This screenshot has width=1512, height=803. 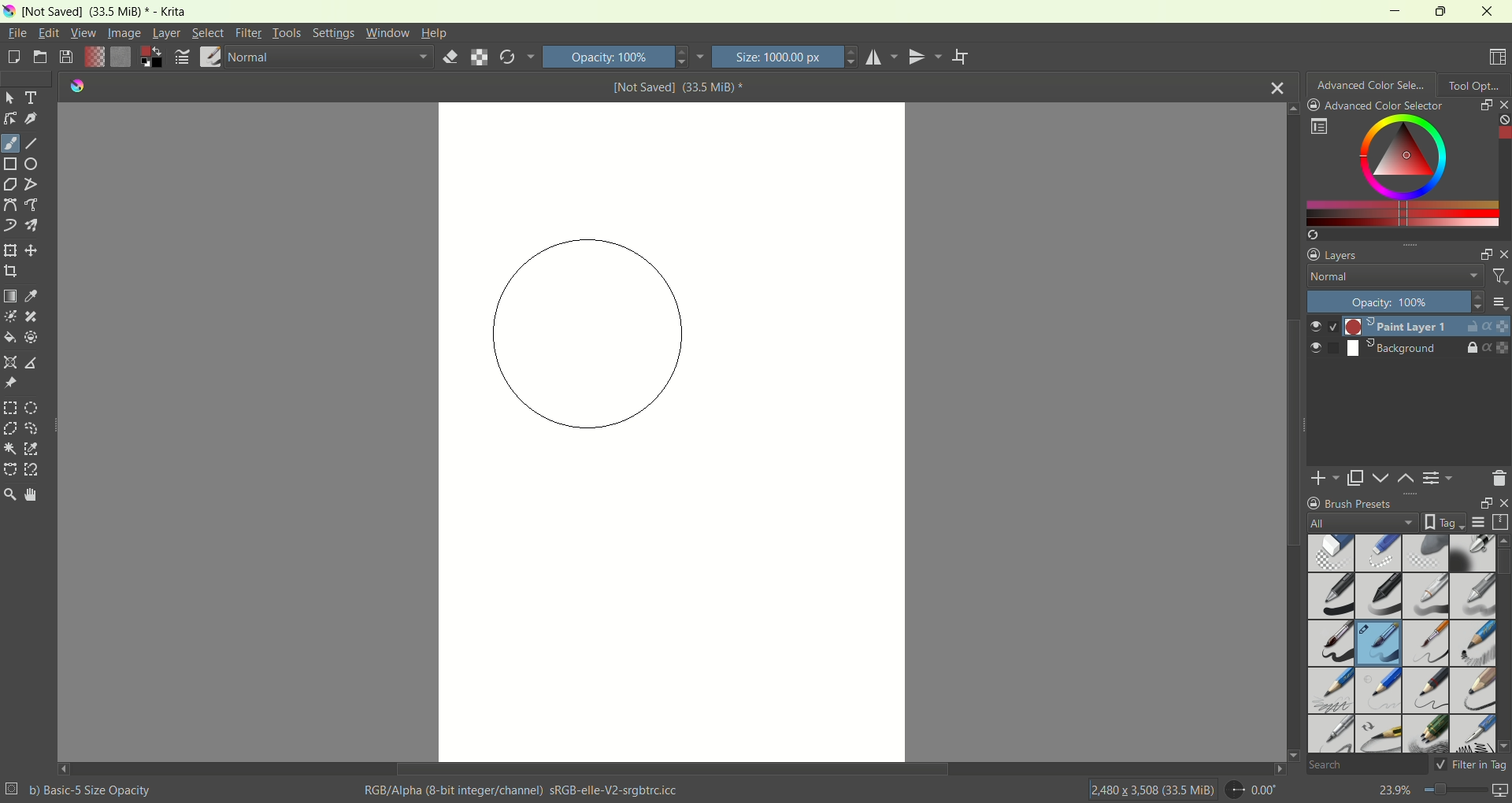 What do you see at coordinates (1473, 594) in the screenshot?
I see `basic 4` at bounding box center [1473, 594].